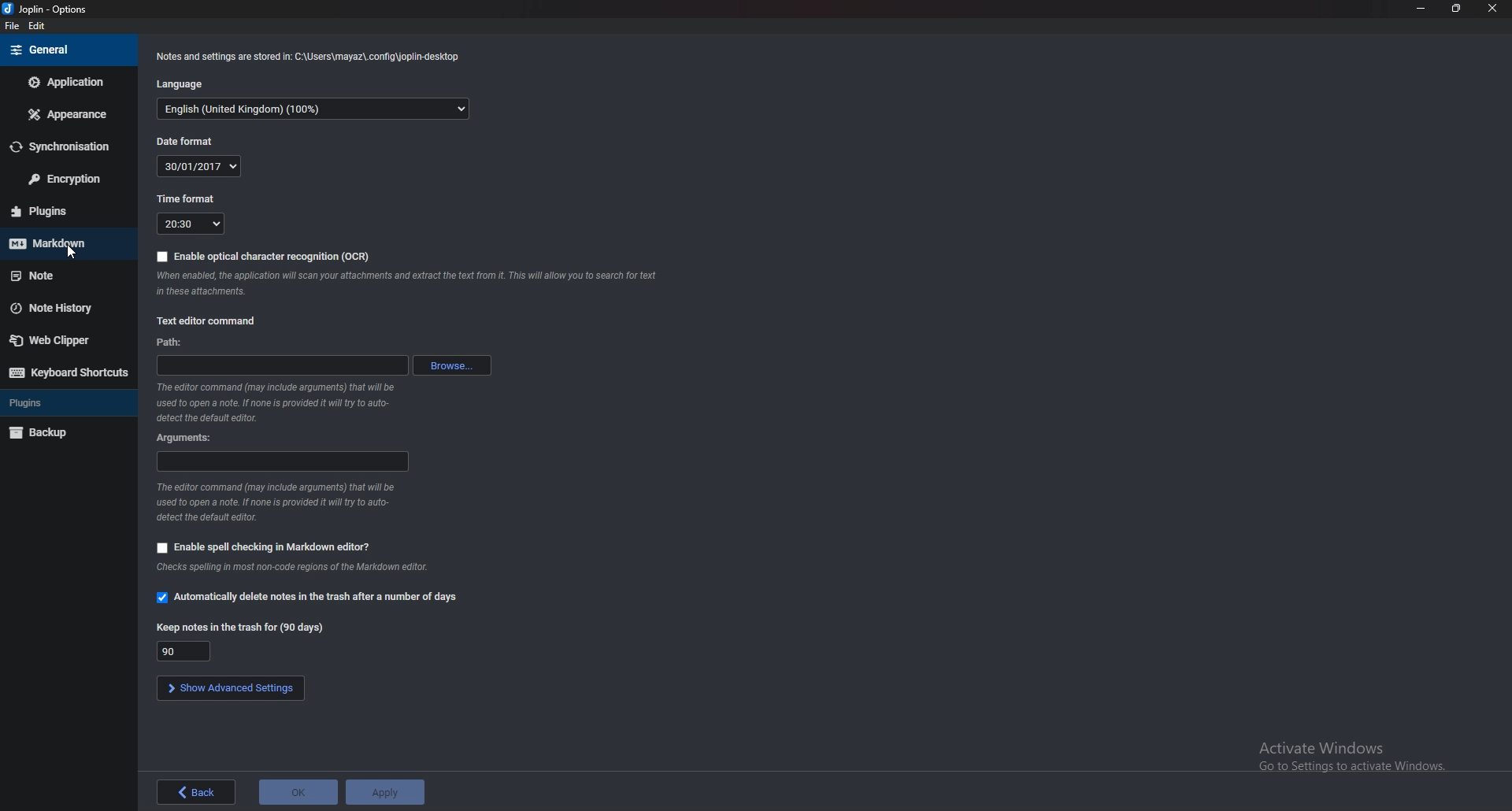  I want to click on Arguments, so click(283, 461).